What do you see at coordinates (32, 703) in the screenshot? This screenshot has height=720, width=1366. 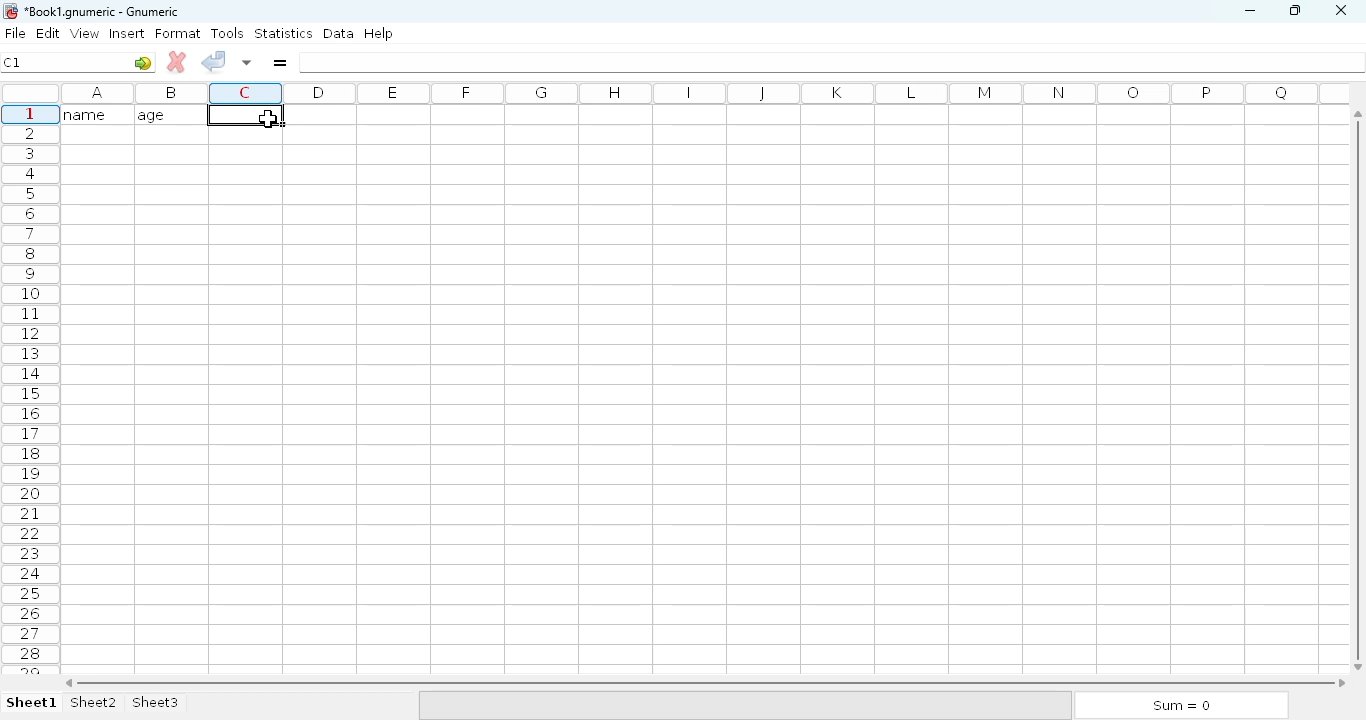 I see `sheet1` at bounding box center [32, 703].